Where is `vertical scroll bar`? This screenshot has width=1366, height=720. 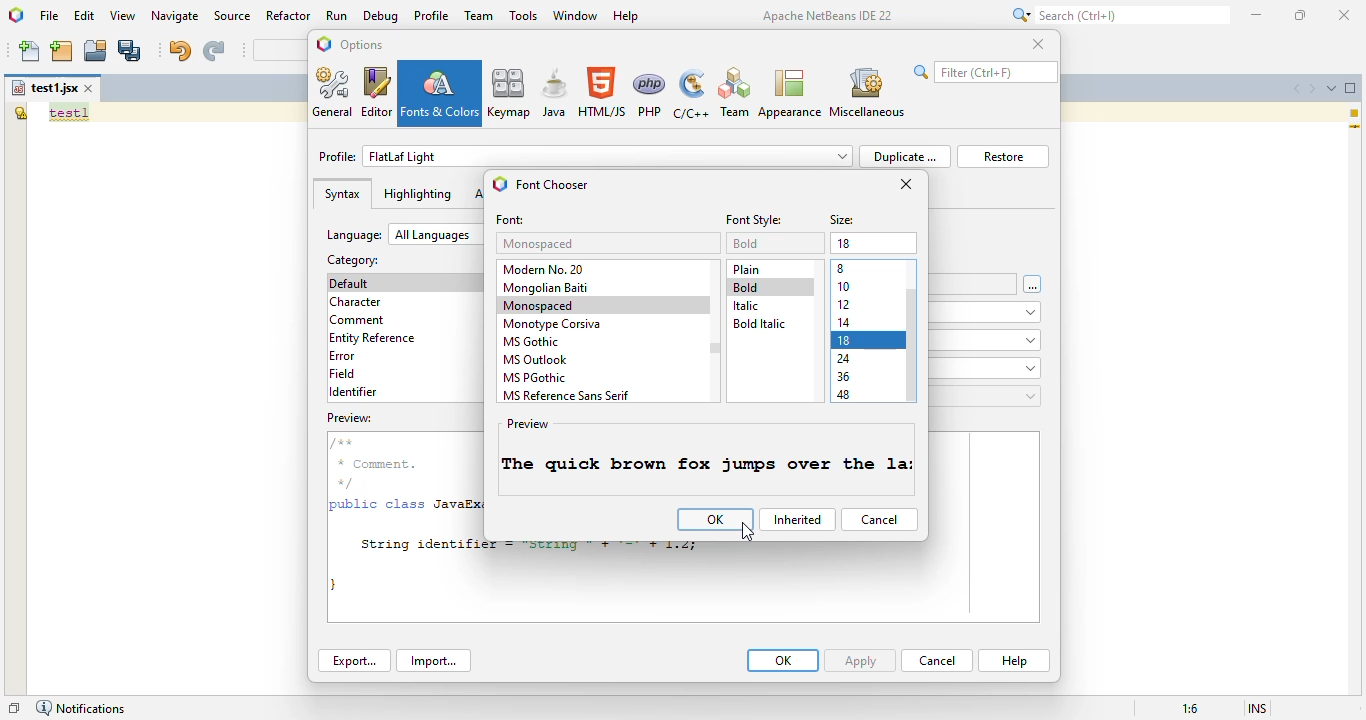
vertical scroll bar is located at coordinates (913, 346).